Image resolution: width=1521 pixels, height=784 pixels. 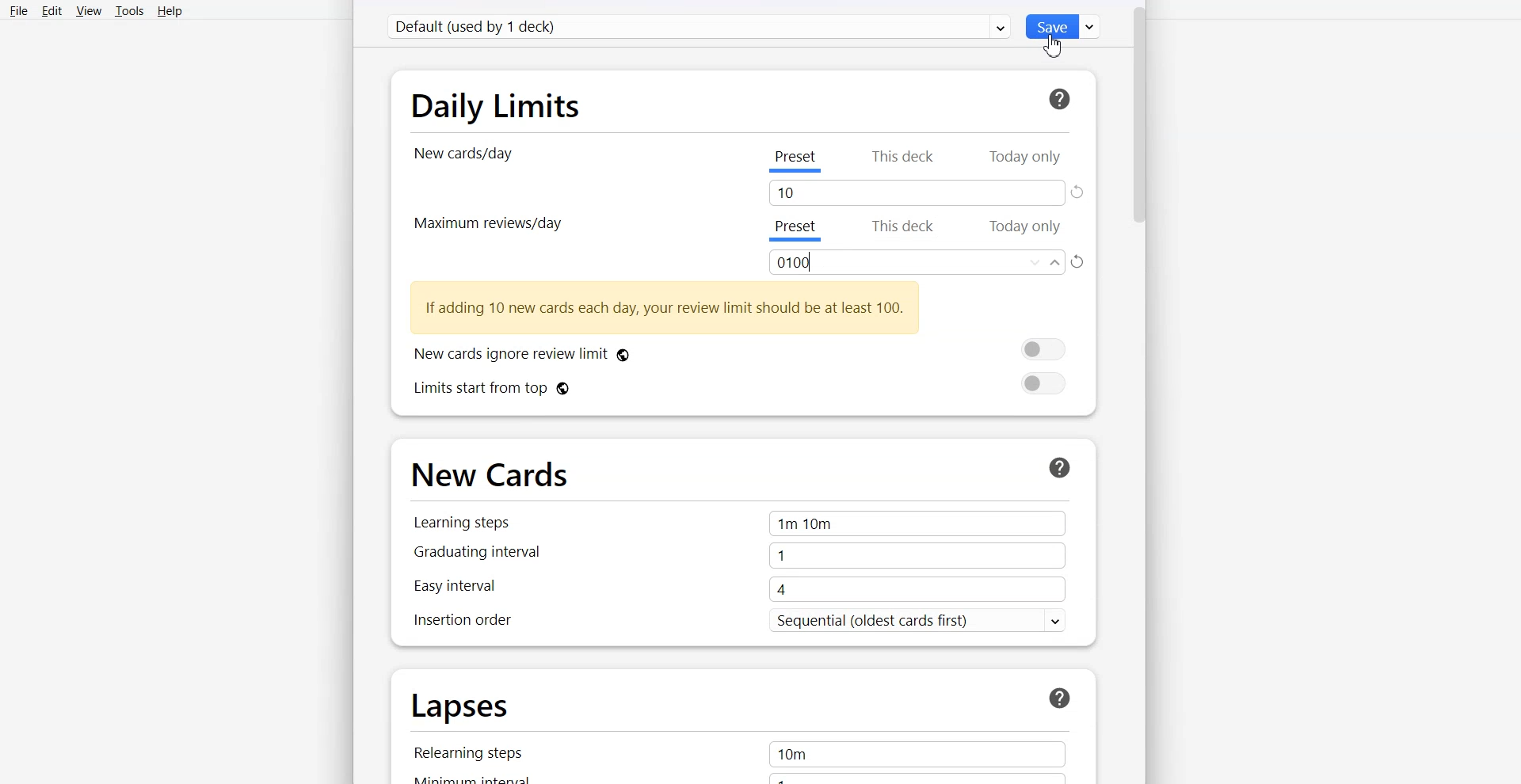 What do you see at coordinates (917, 262) in the screenshot?
I see `0100` at bounding box center [917, 262].